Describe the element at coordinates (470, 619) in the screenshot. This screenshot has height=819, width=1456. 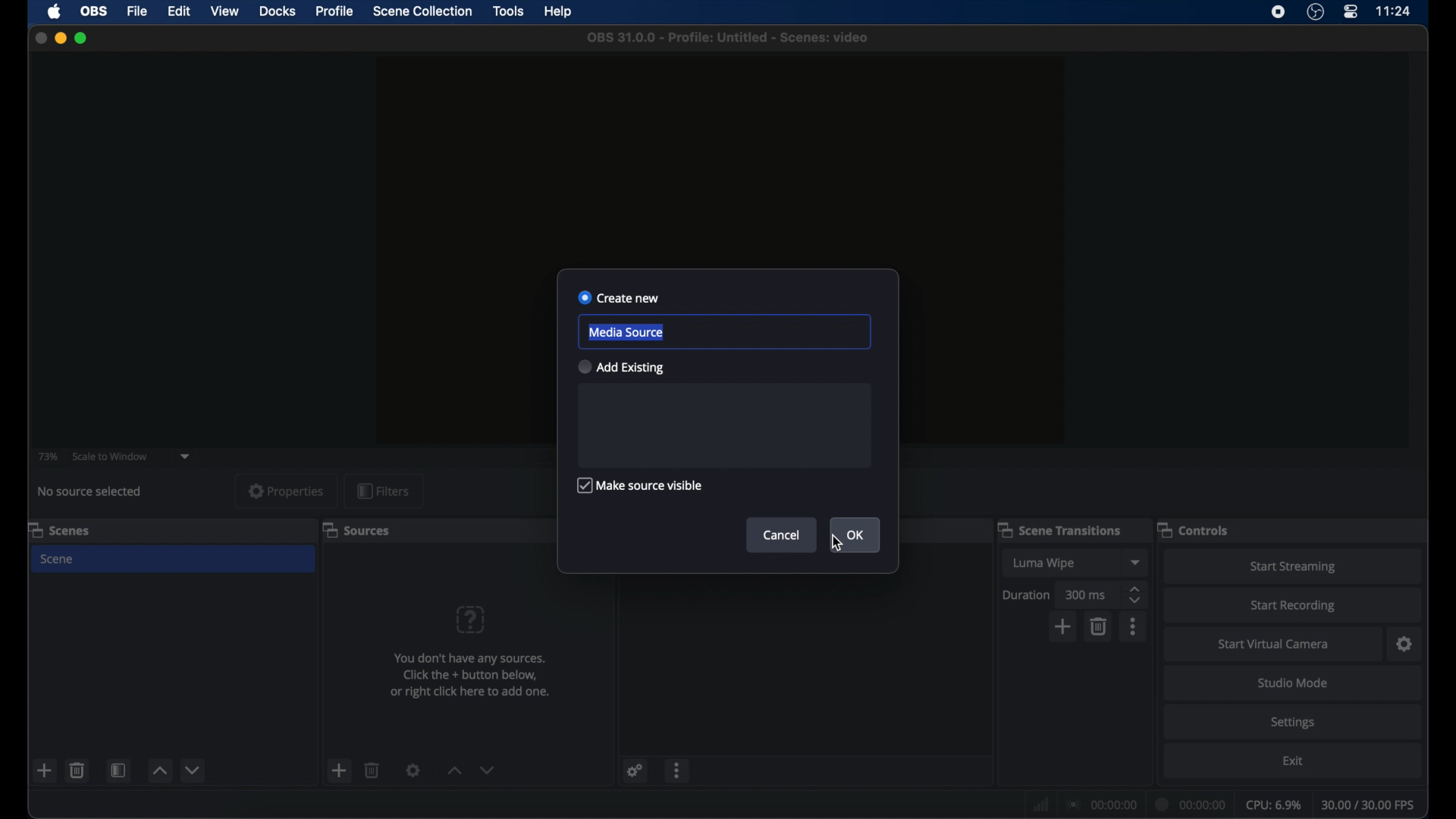
I see `help` at that location.